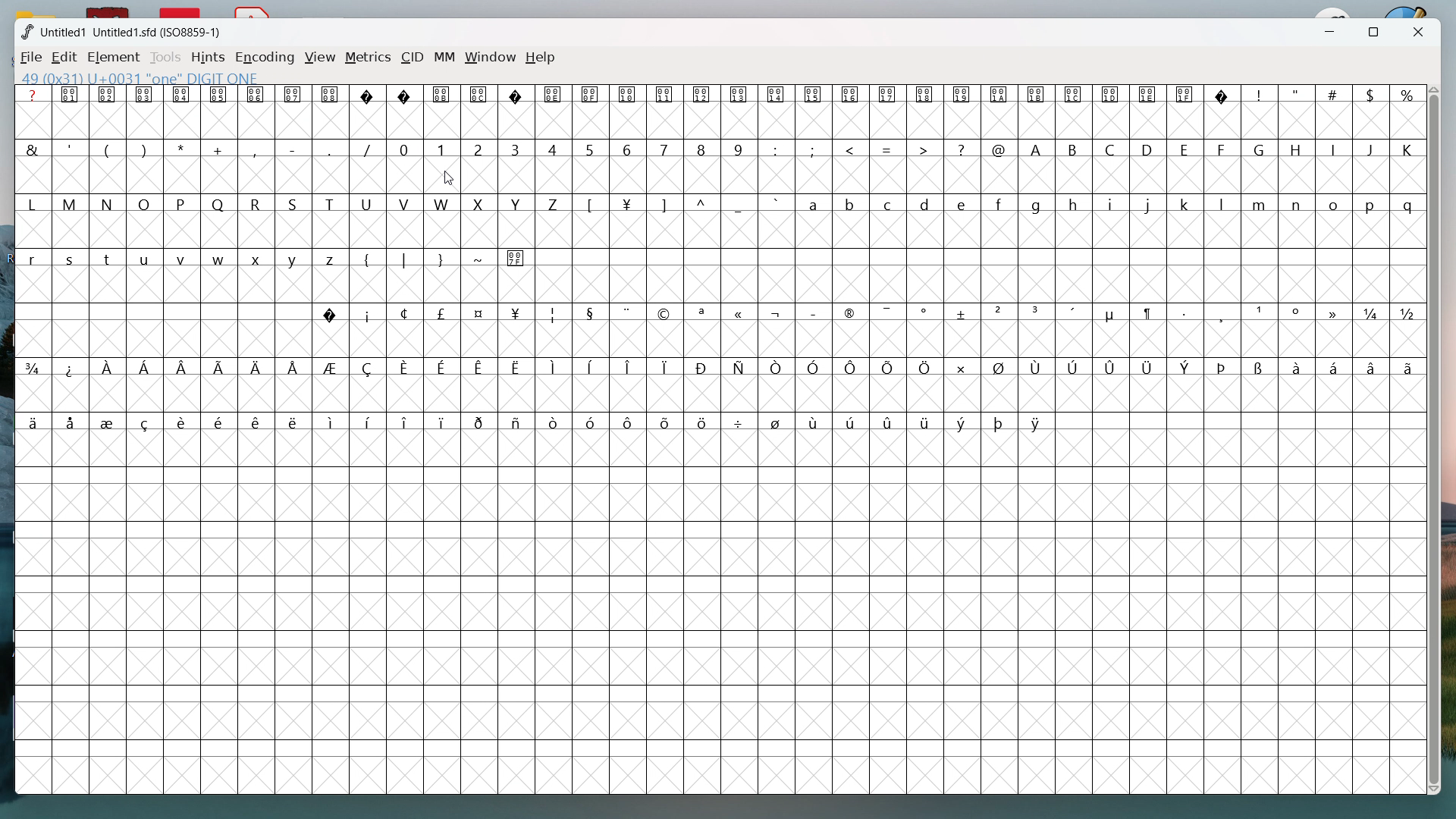  Describe the element at coordinates (32, 148) in the screenshot. I see `&` at that location.